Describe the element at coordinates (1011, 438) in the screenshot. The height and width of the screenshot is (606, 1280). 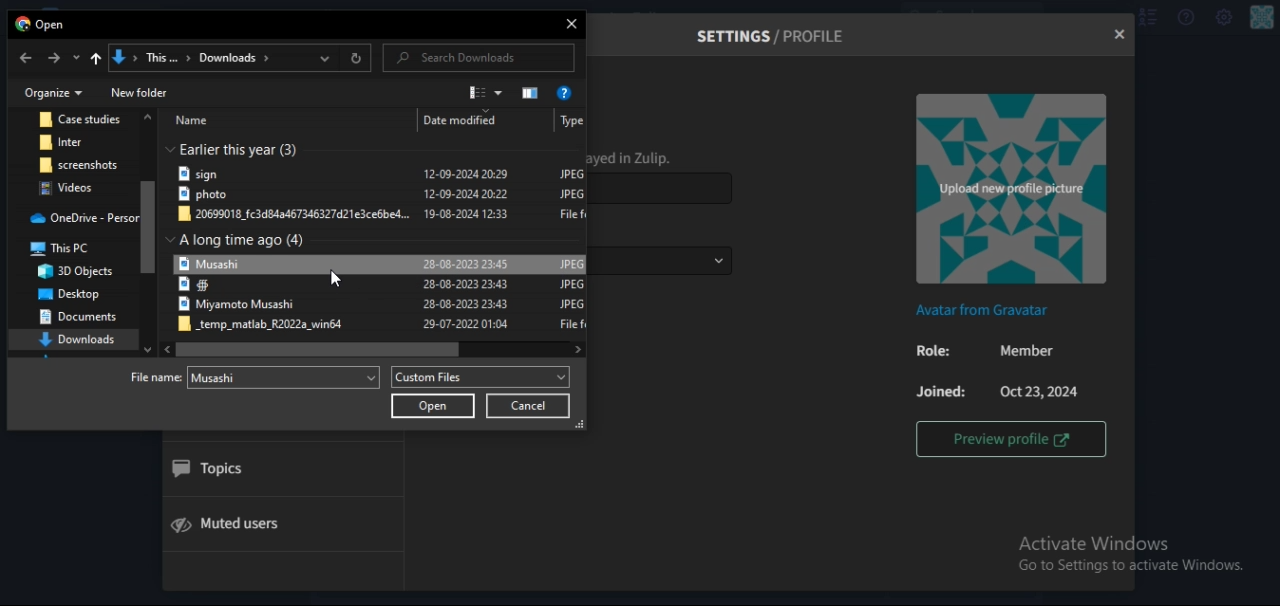
I see `preview profile` at that location.